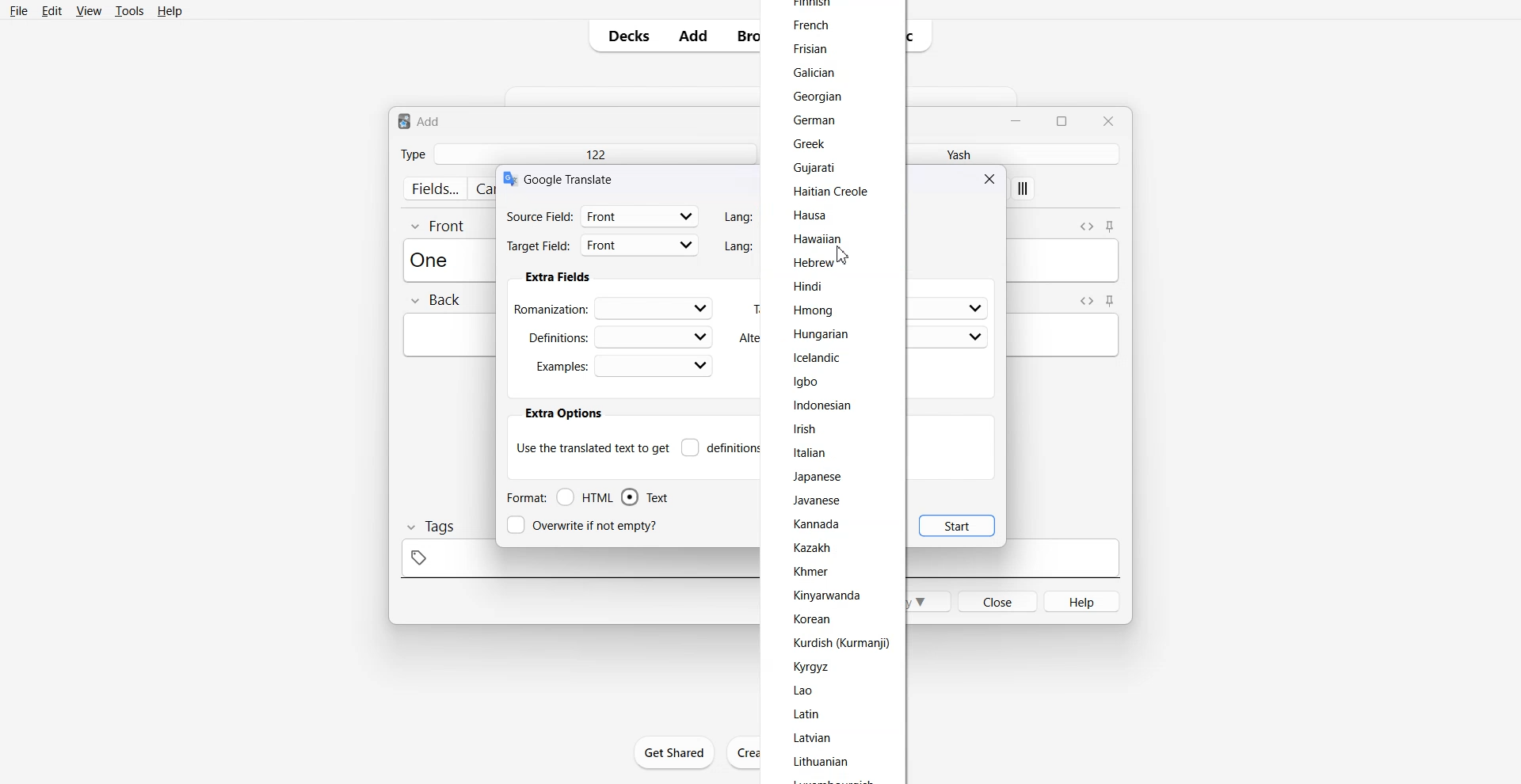  Describe the element at coordinates (593, 447) in the screenshot. I see `Use the translate text to get` at that location.